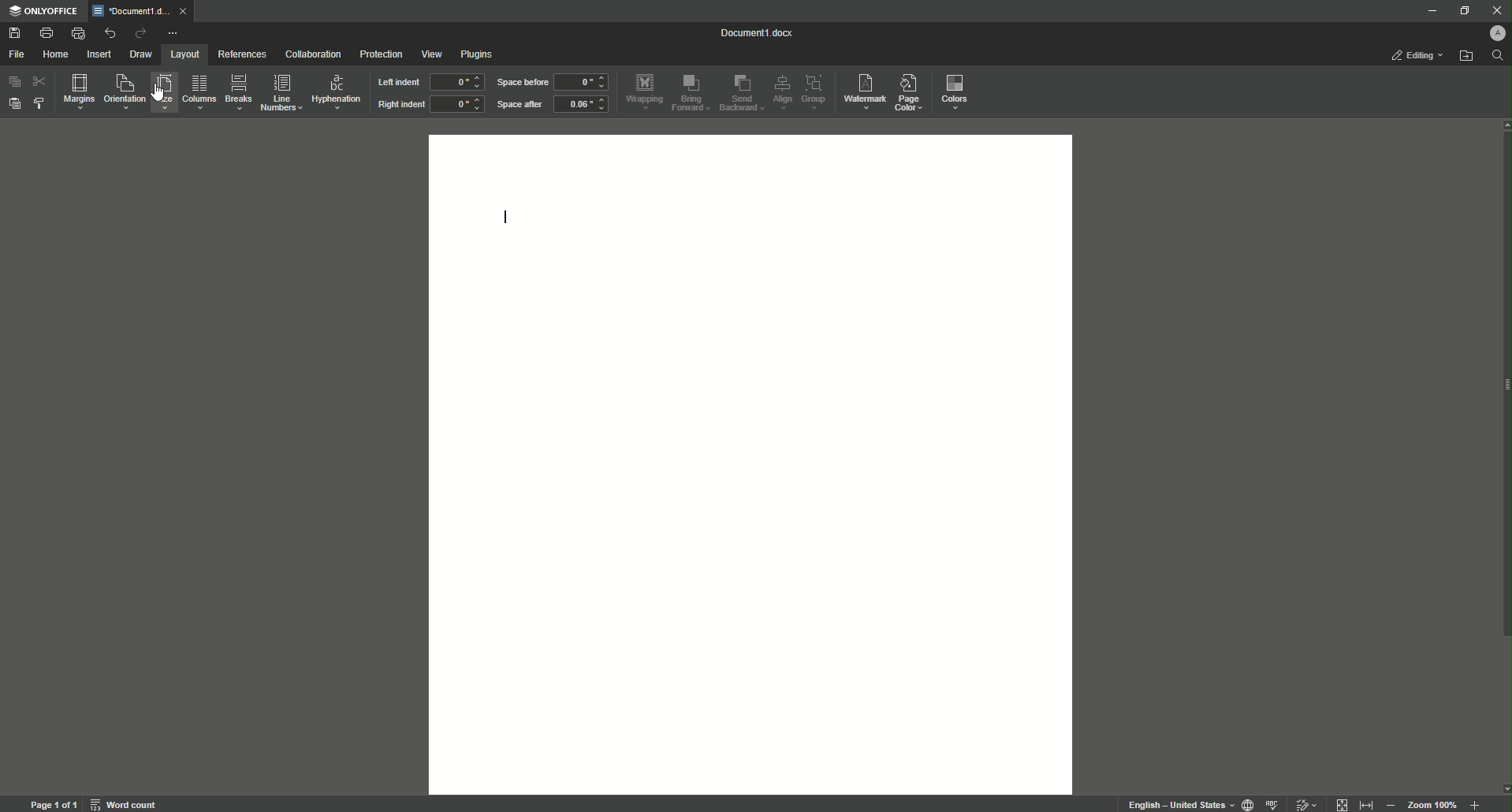 This screenshot has height=812, width=1512. Describe the element at coordinates (1503, 389) in the screenshot. I see `Scrollbar` at that location.